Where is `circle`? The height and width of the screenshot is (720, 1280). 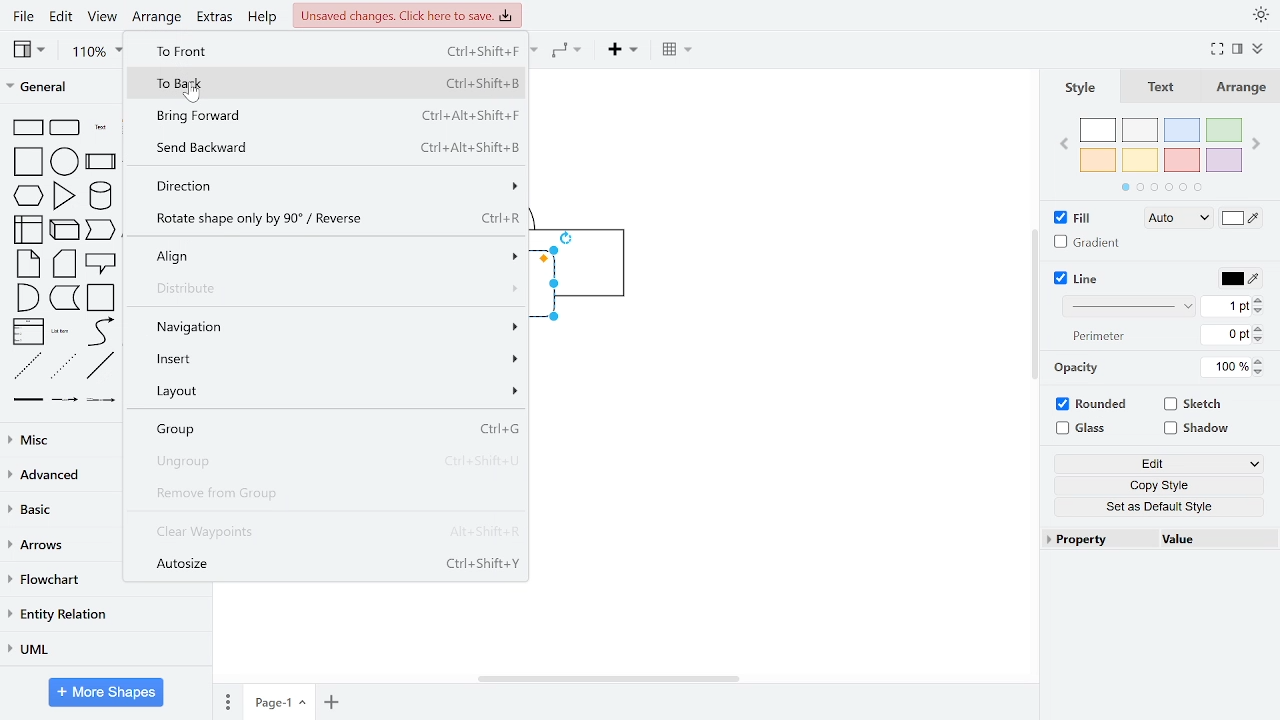 circle is located at coordinates (65, 163).